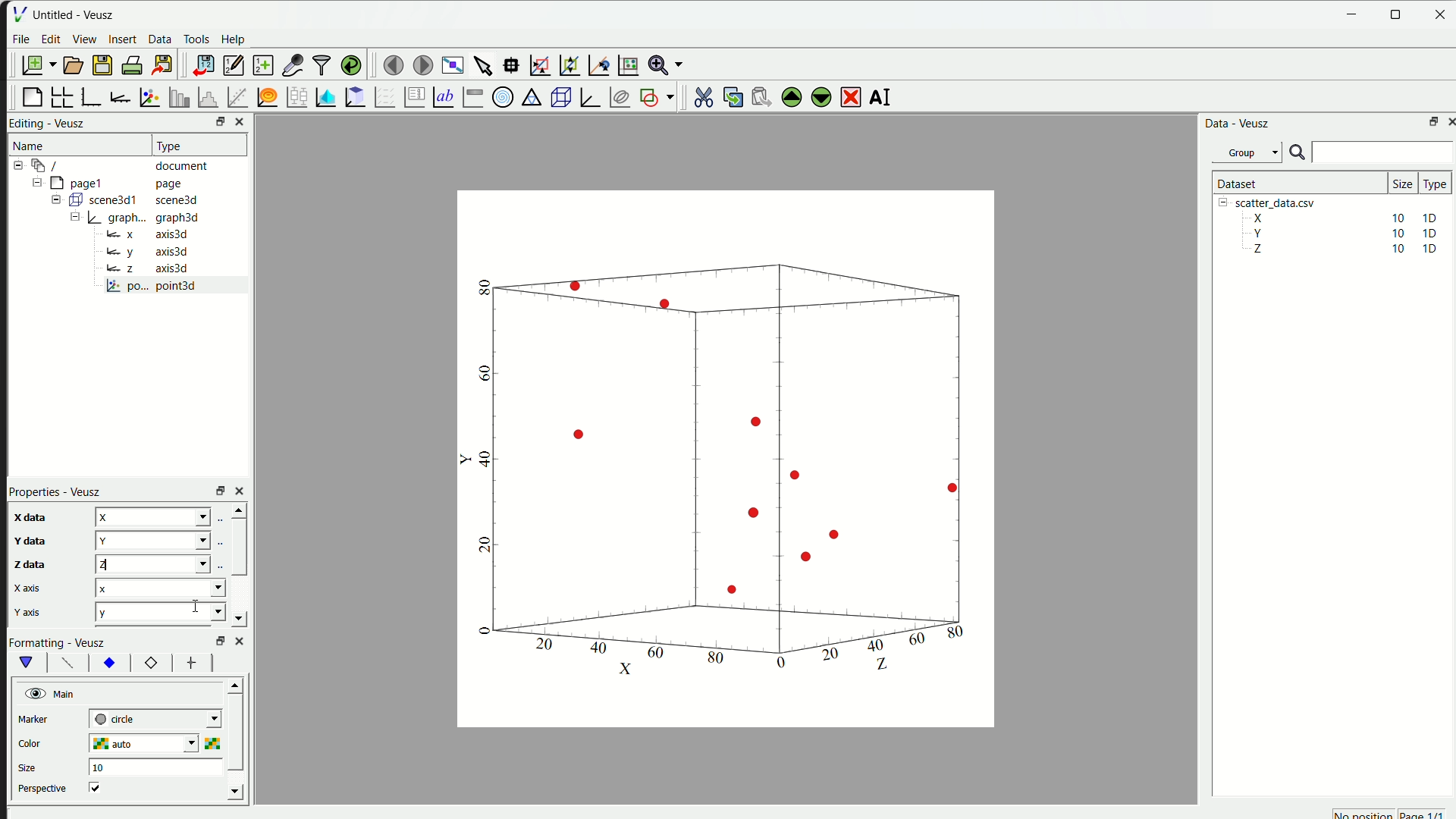 The image size is (1456, 819). What do you see at coordinates (1235, 184) in the screenshot?
I see `| Dataset` at bounding box center [1235, 184].